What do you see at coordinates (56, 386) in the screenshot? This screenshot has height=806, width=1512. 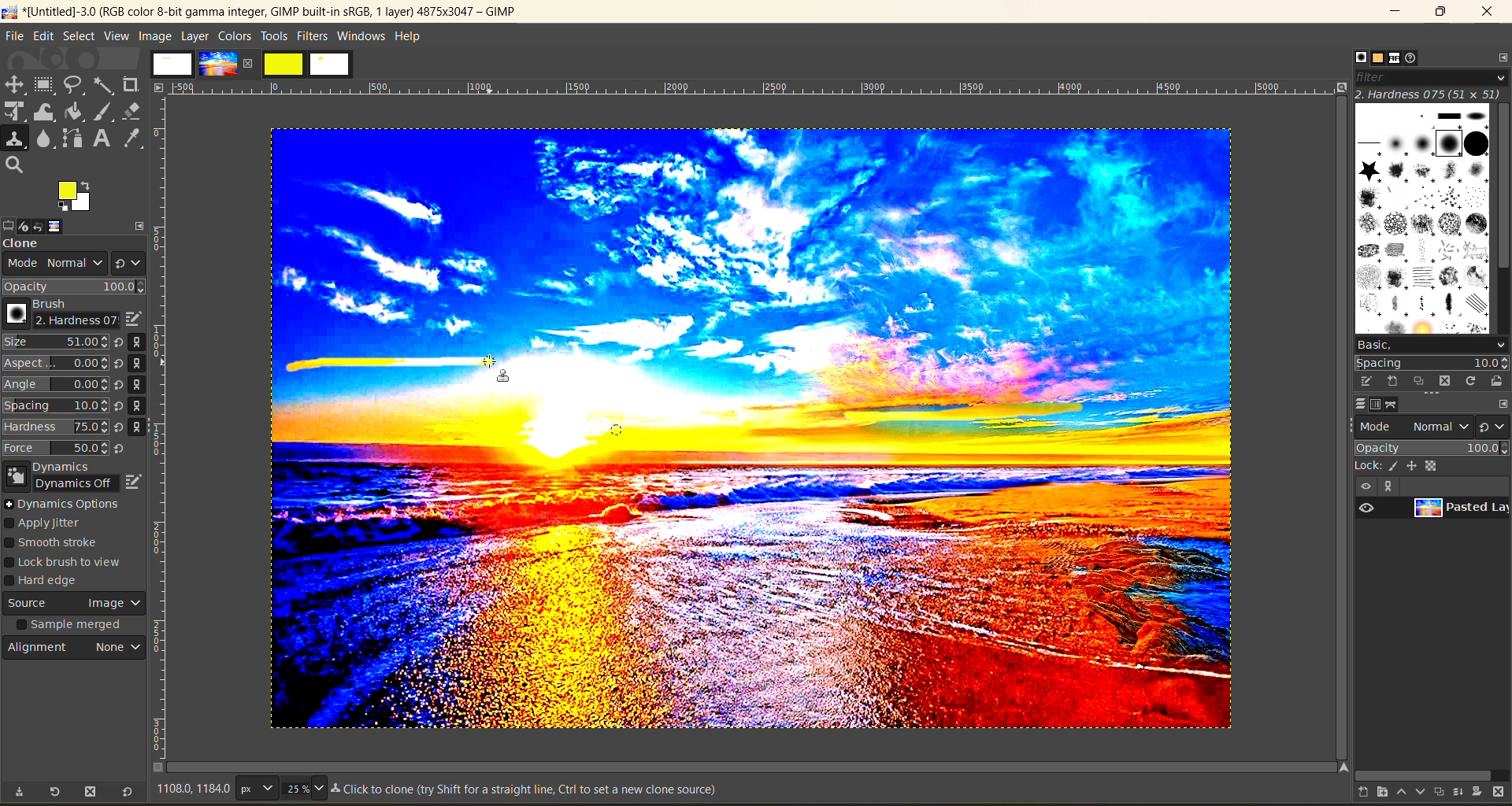 I see `Angle 0.00` at bounding box center [56, 386].